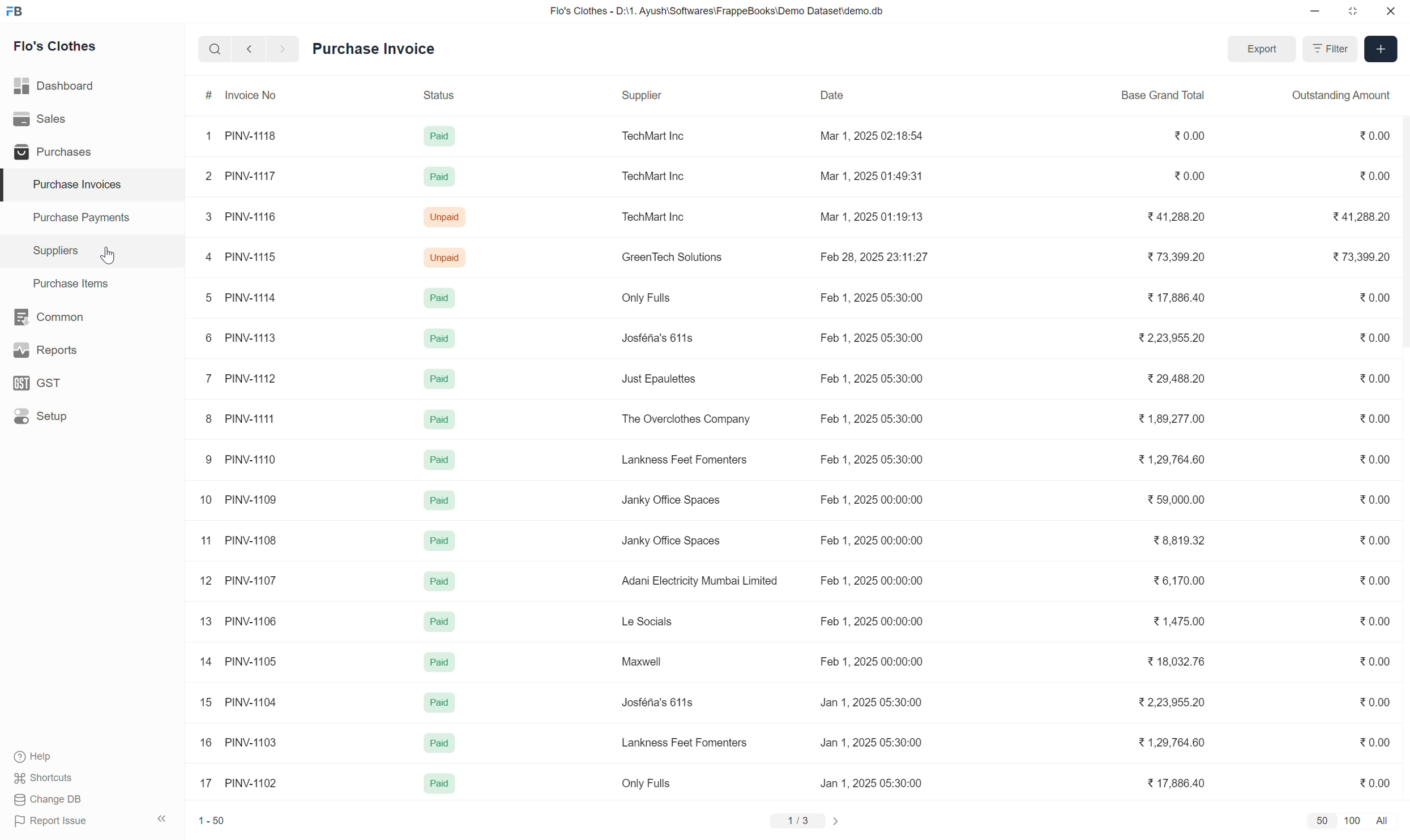 The image size is (1410, 840). Describe the element at coordinates (1370, 298) in the screenshot. I see `0.00` at that location.